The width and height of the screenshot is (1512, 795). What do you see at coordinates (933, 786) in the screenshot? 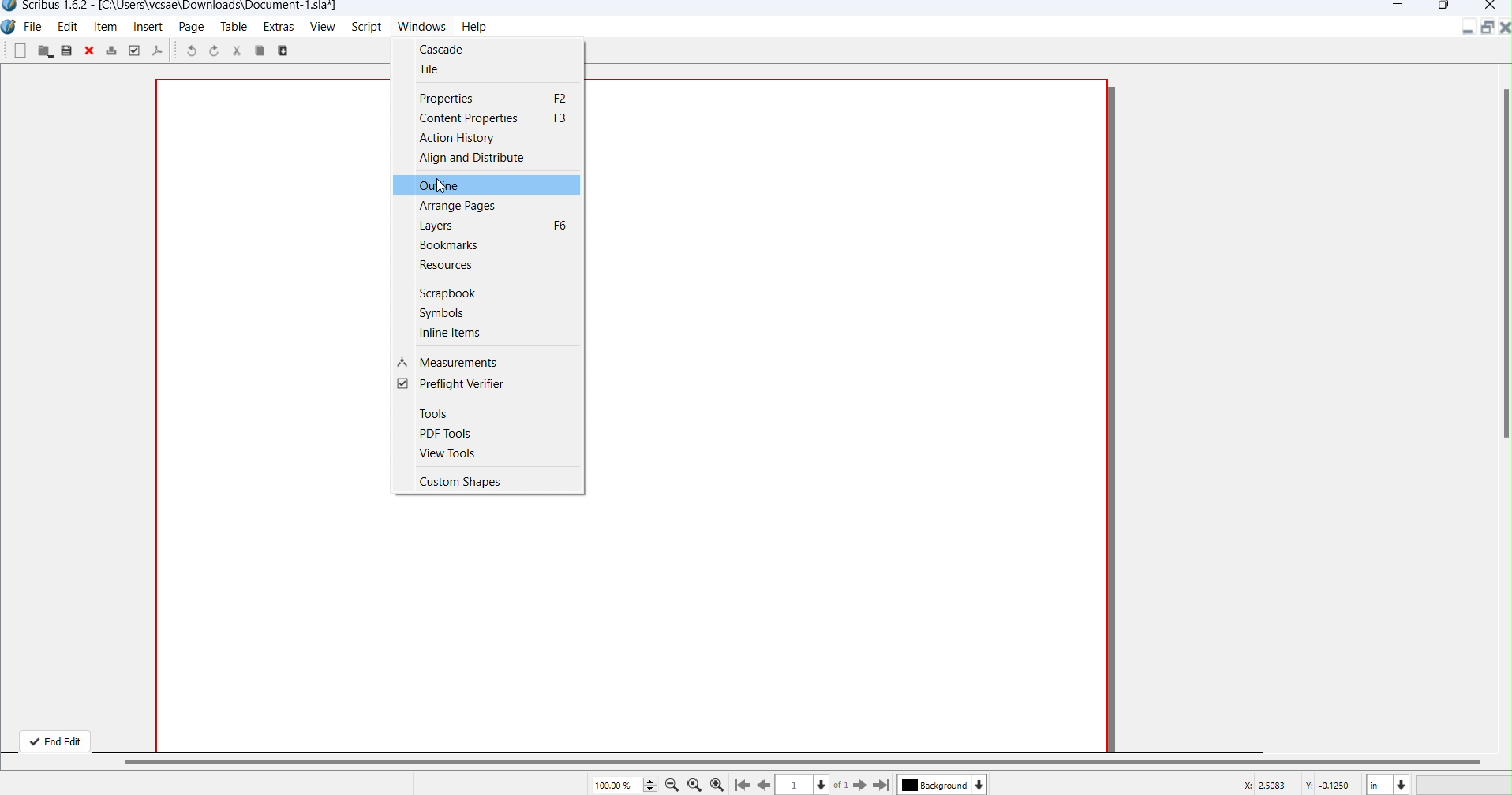
I see `background` at bounding box center [933, 786].